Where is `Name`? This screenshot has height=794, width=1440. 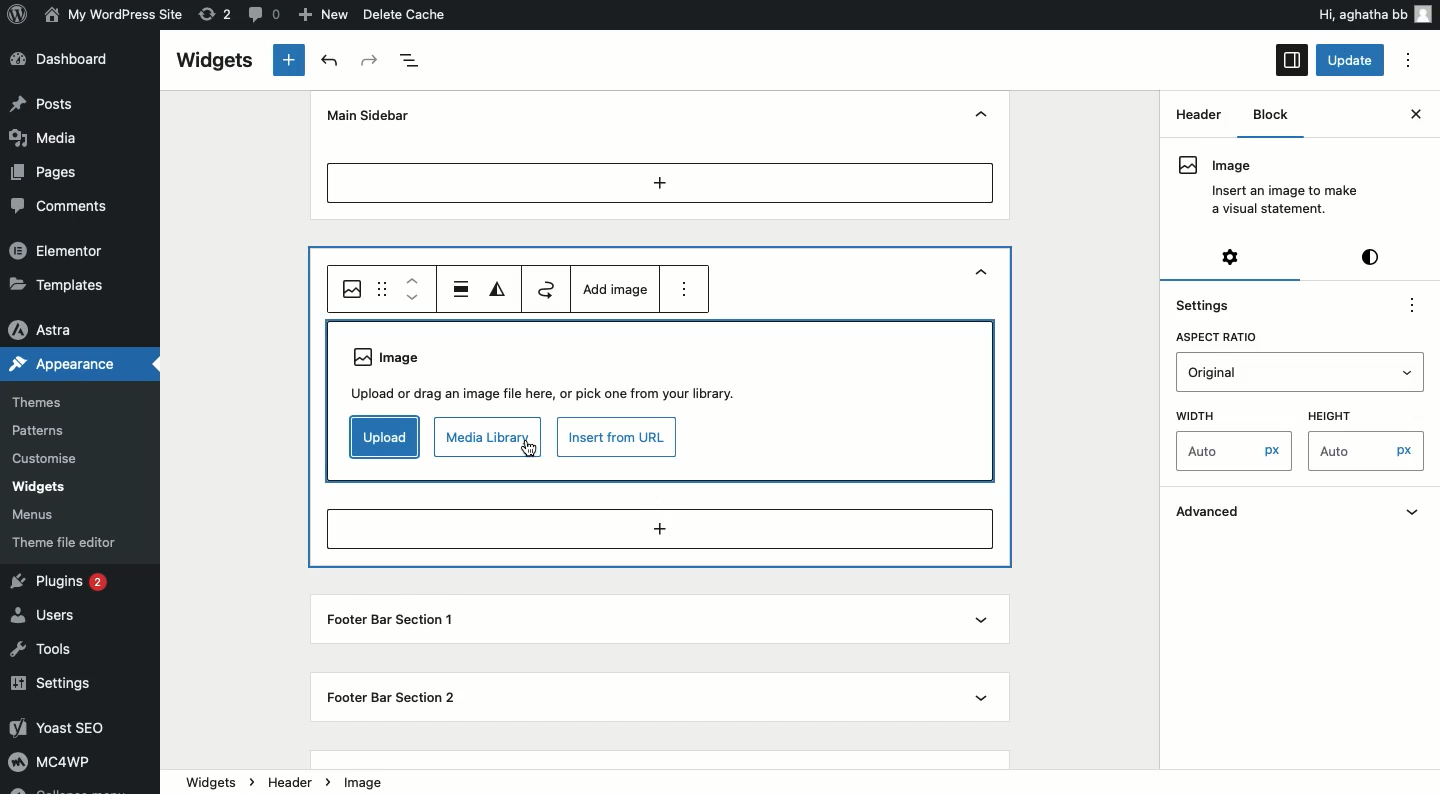
Name is located at coordinates (116, 13).